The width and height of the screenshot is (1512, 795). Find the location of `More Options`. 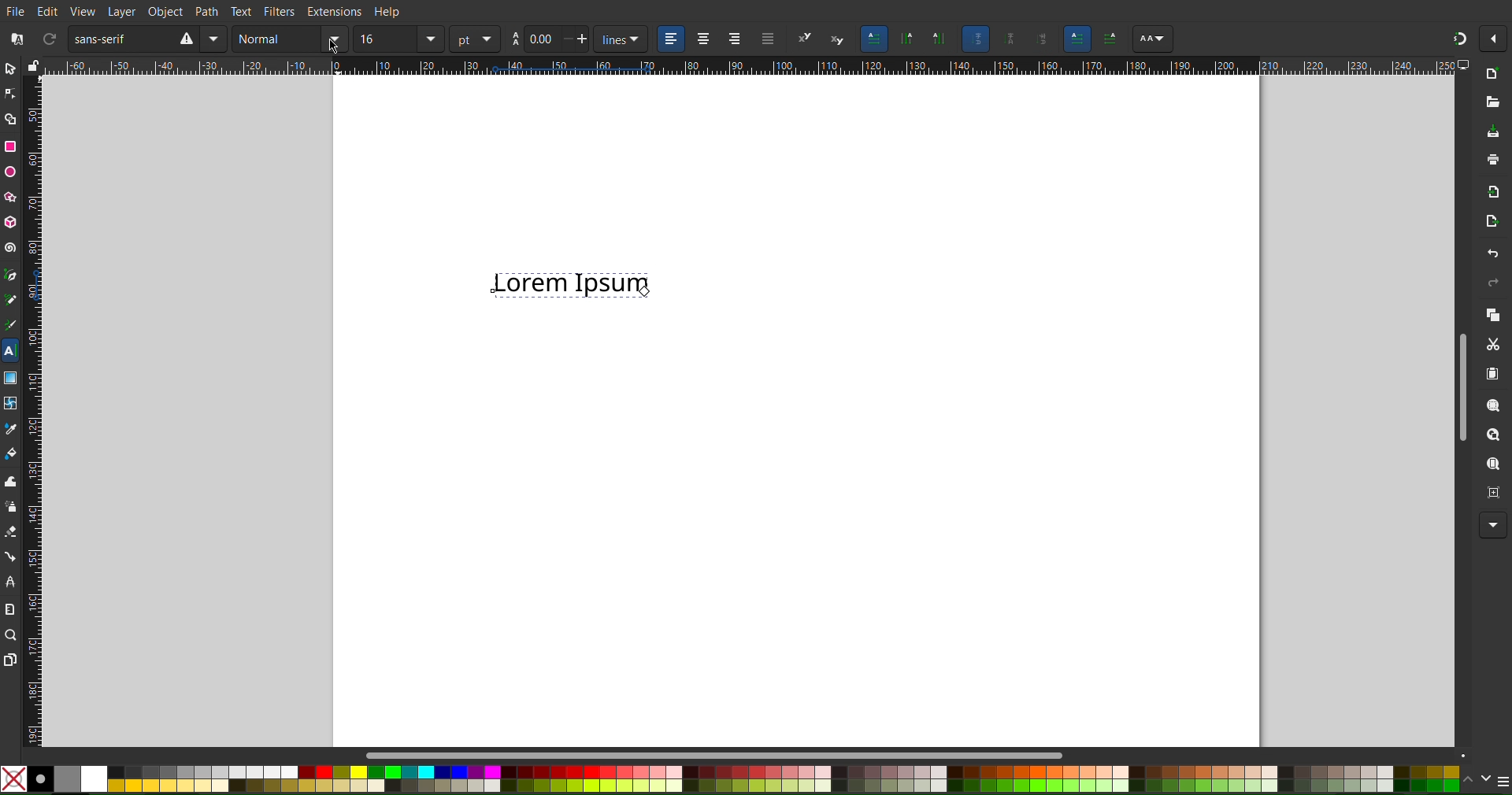

More Options is located at coordinates (1492, 526).